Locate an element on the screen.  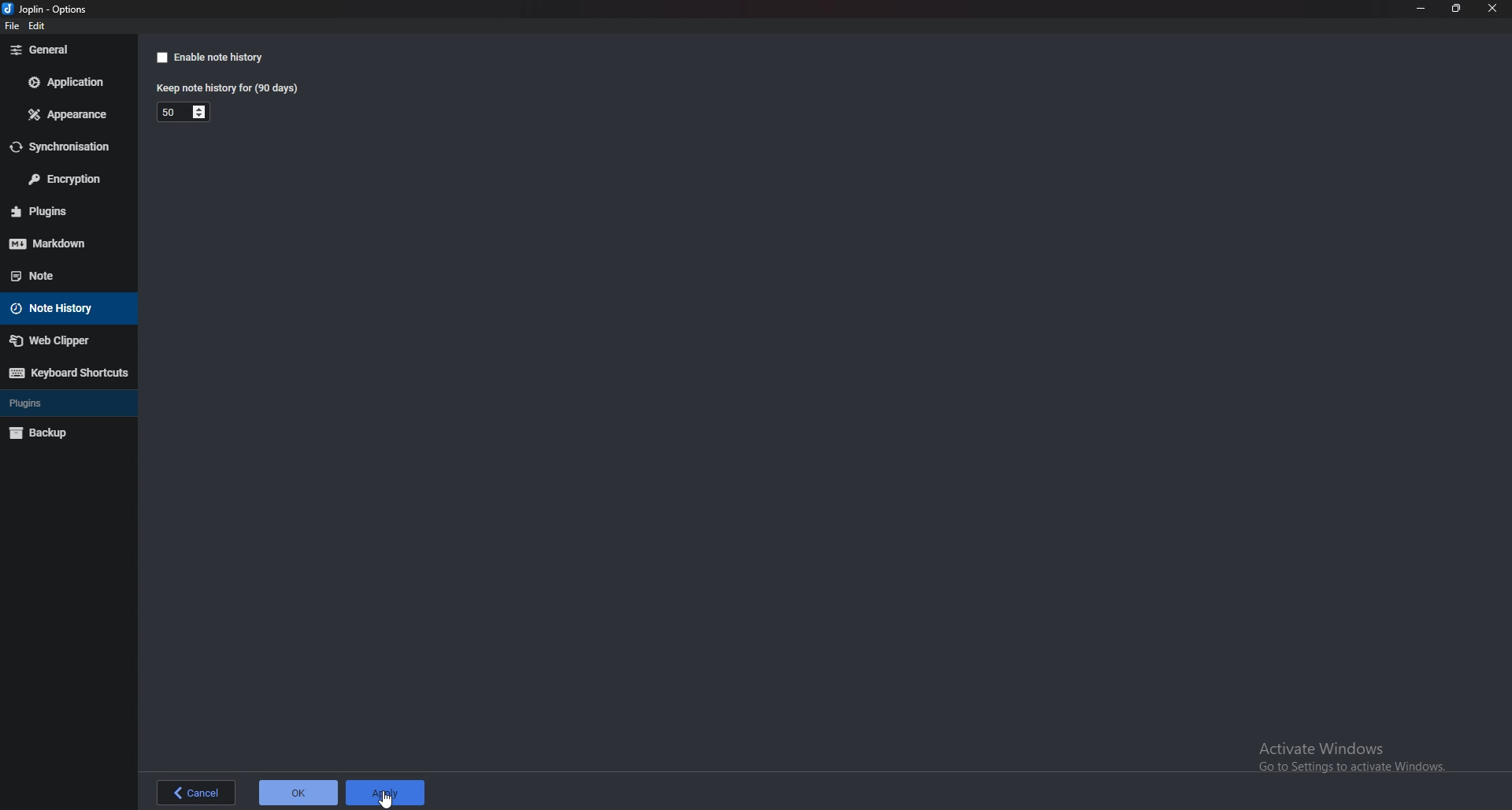
apply is located at coordinates (386, 792).